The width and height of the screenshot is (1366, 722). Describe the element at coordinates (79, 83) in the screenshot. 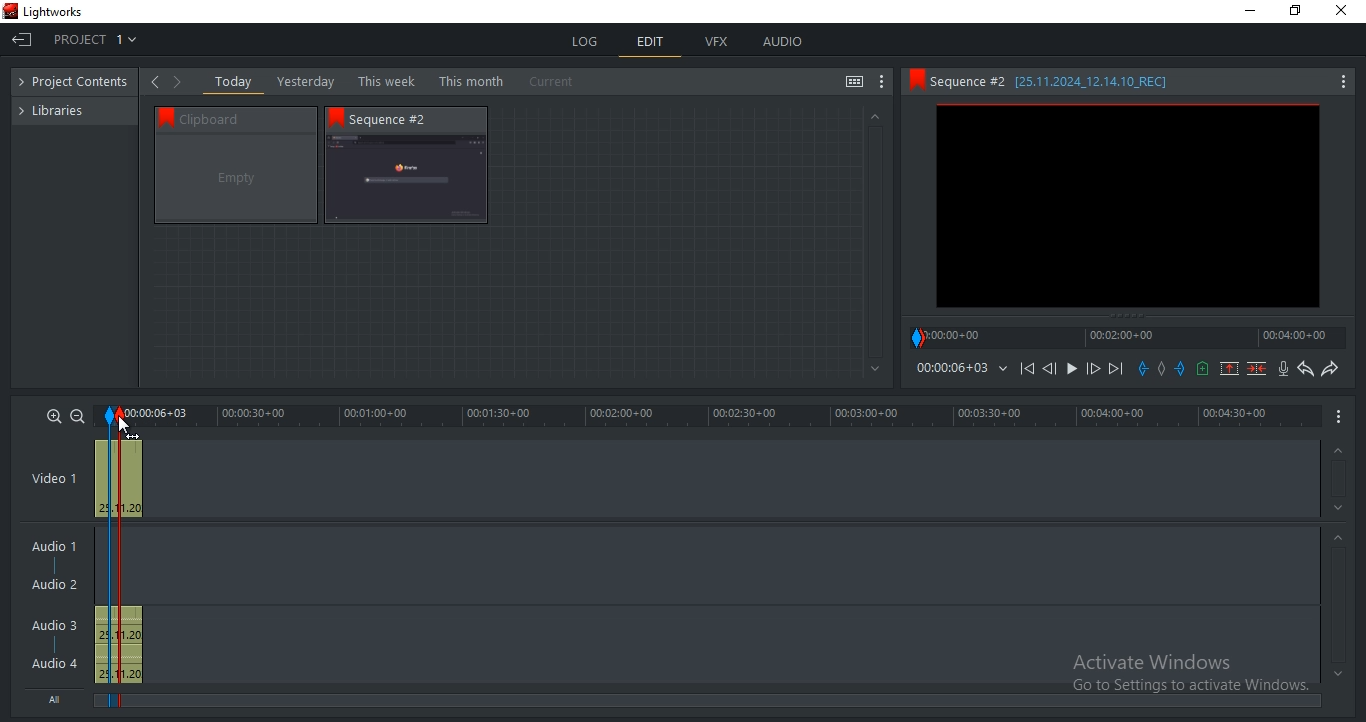

I see `project` at that location.